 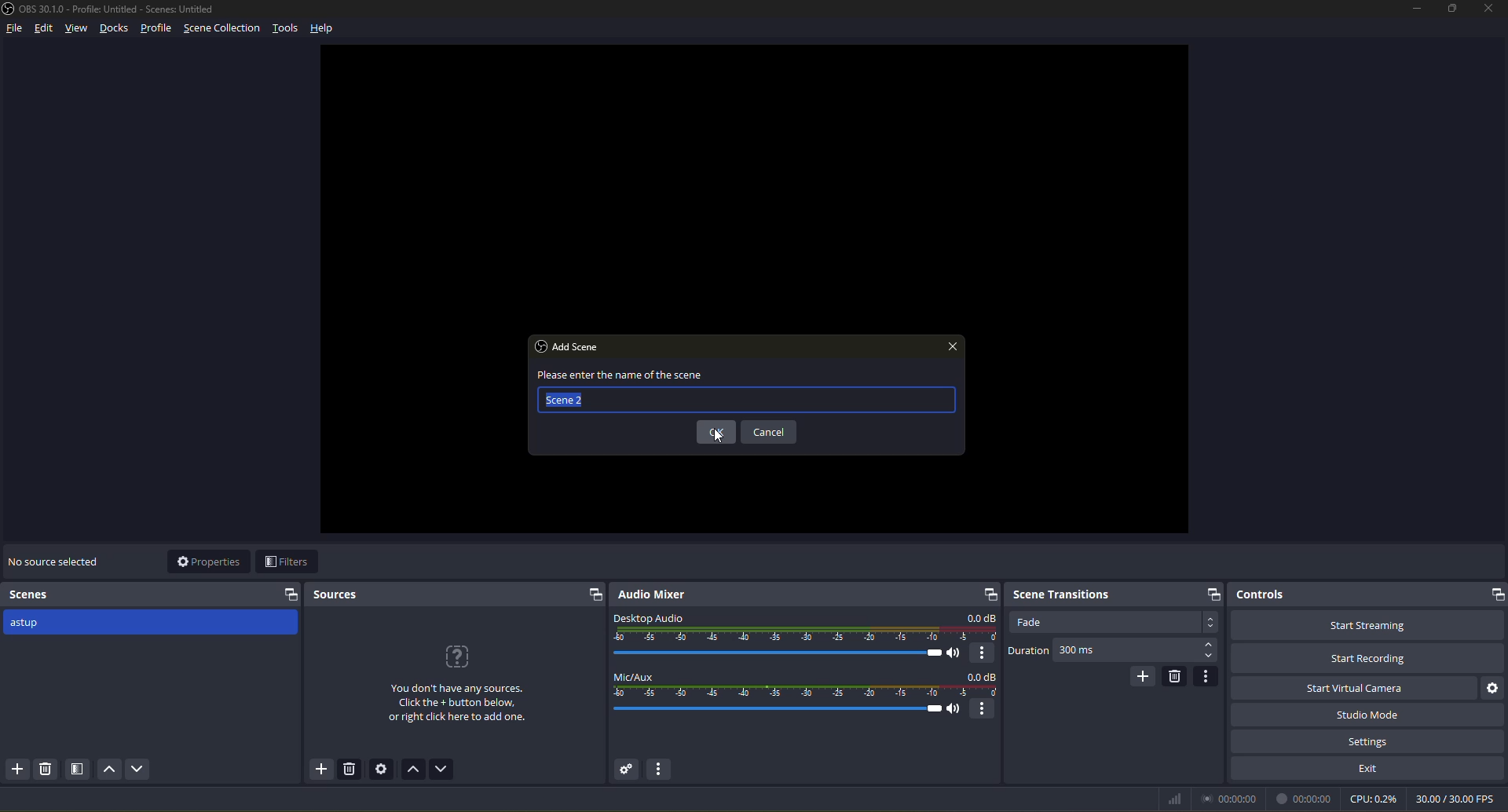 I want to click on add scenes, so click(x=17, y=769).